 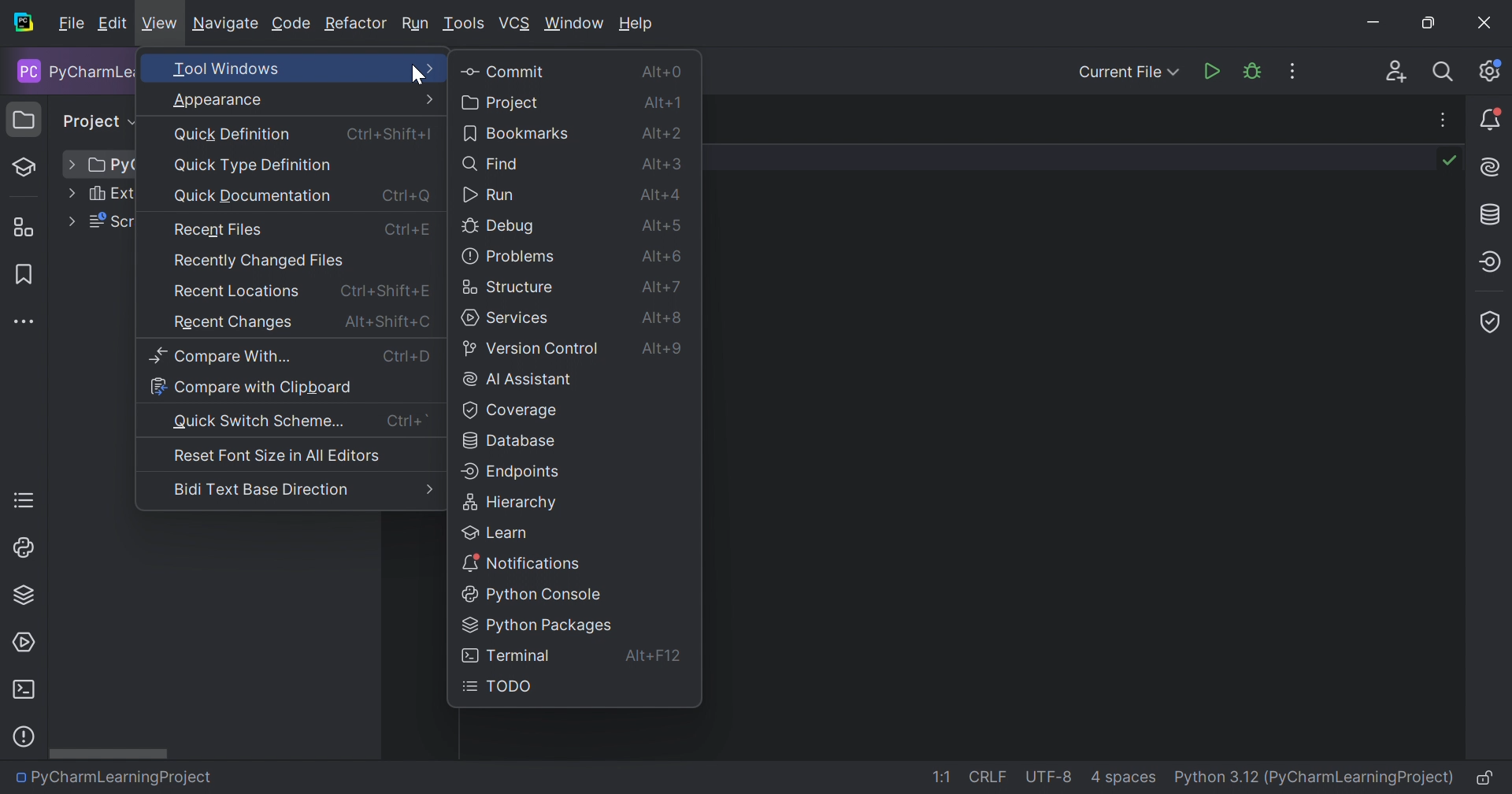 I want to click on Problems, so click(x=508, y=255).